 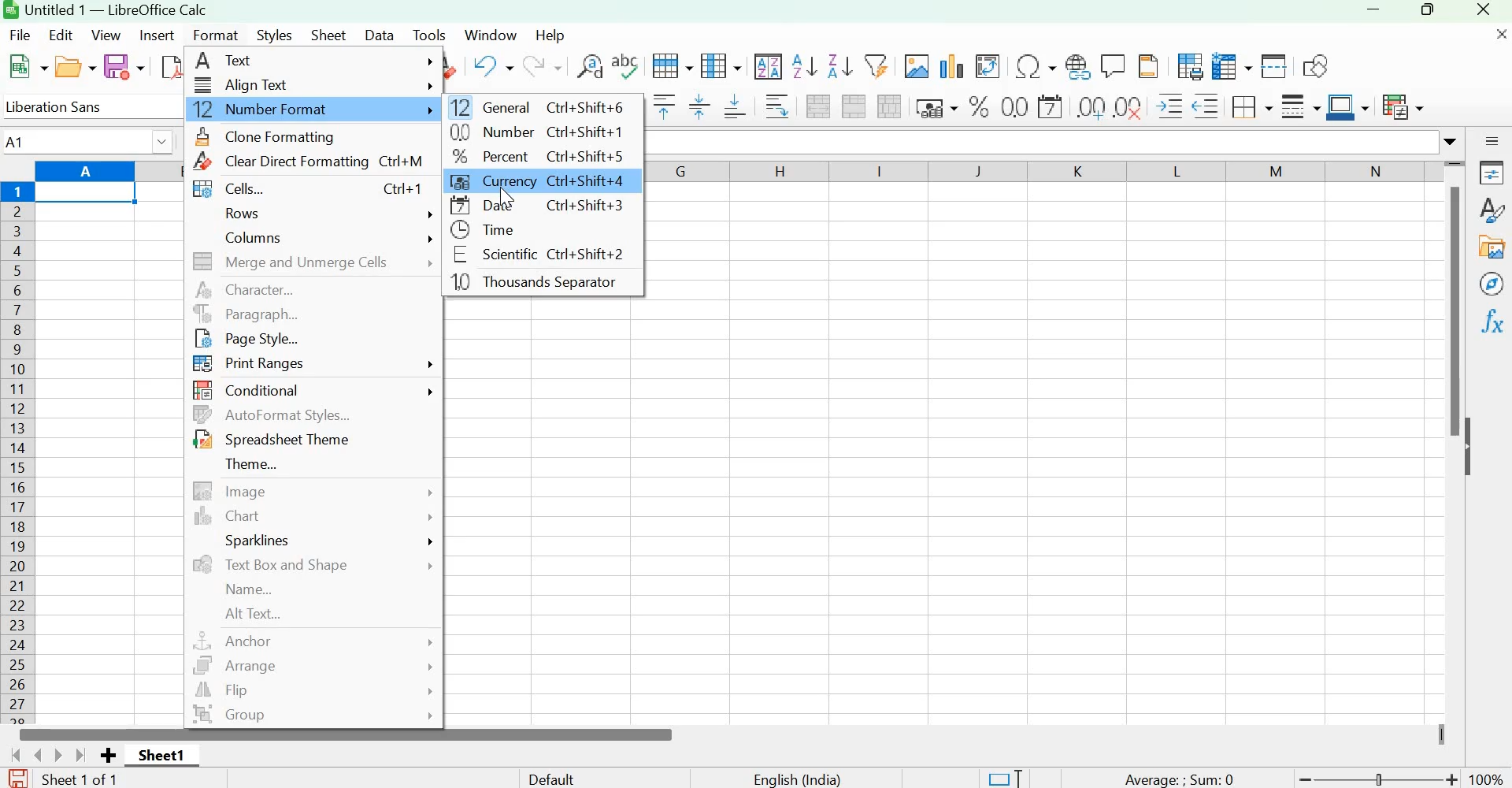 What do you see at coordinates (274, 36) in the screenshot?
I see `Styles` at bounding box center [274, 36].